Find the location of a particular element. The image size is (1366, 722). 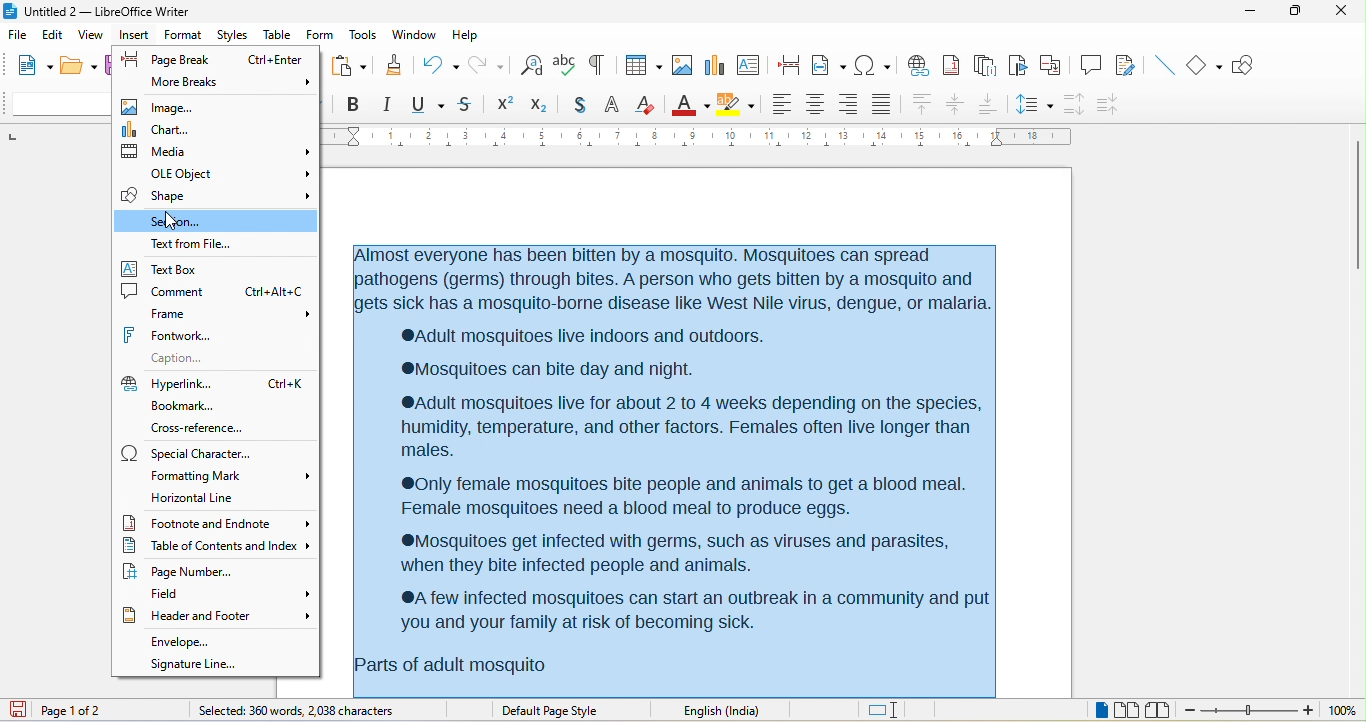

table is located at coordinates (276, 34).